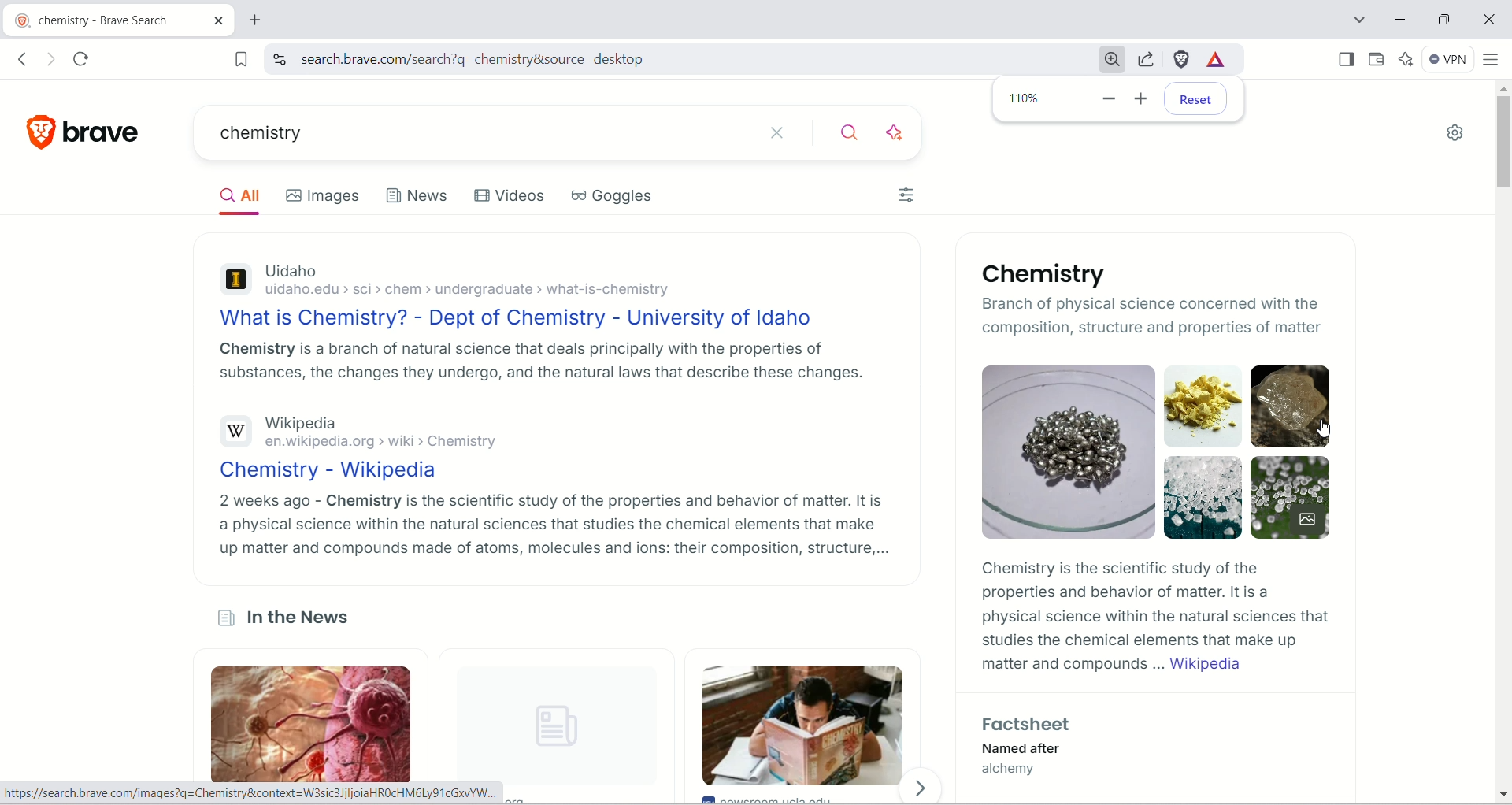  I want to click on News, so click(416, 195).